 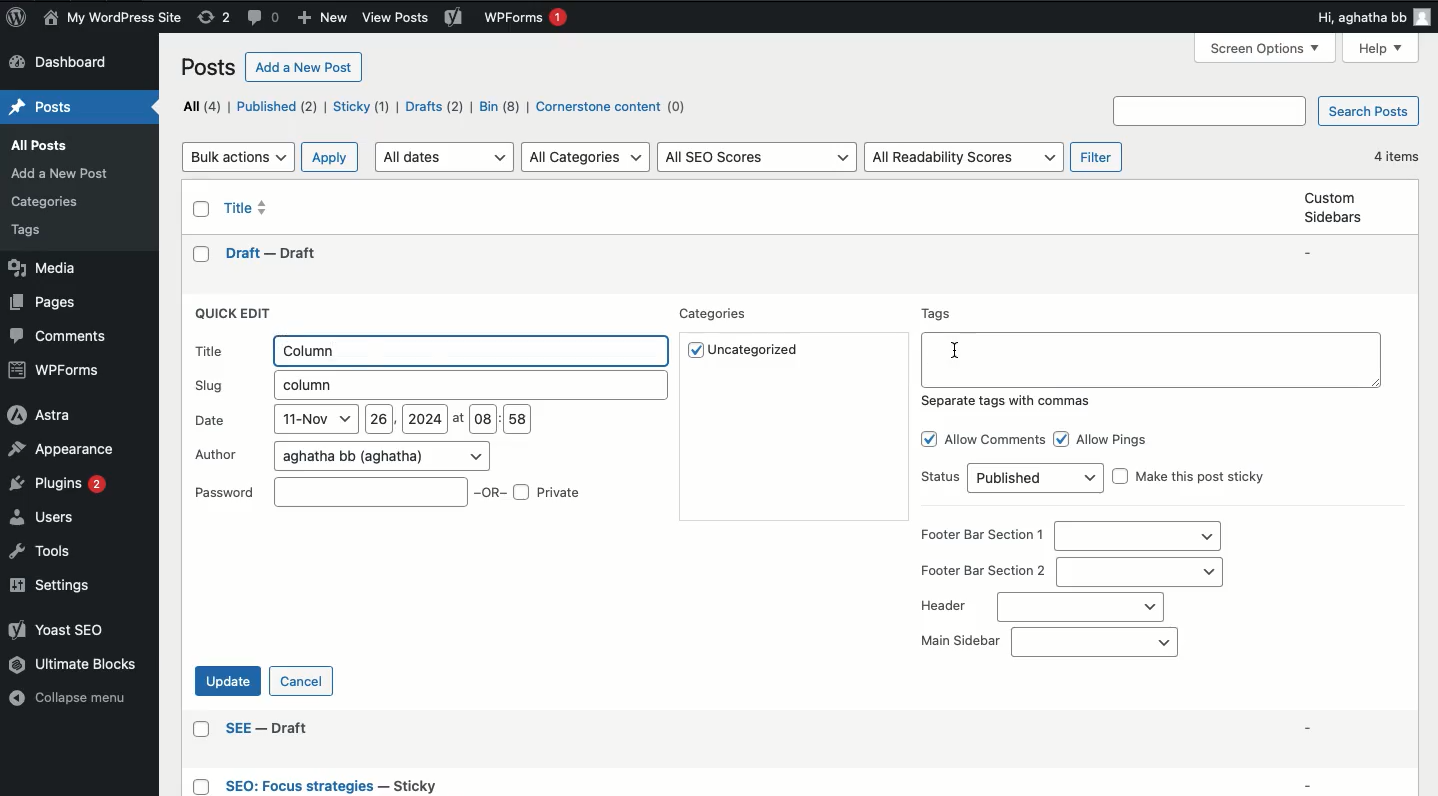 I want to click on Pages, so click(x=47, y=304).